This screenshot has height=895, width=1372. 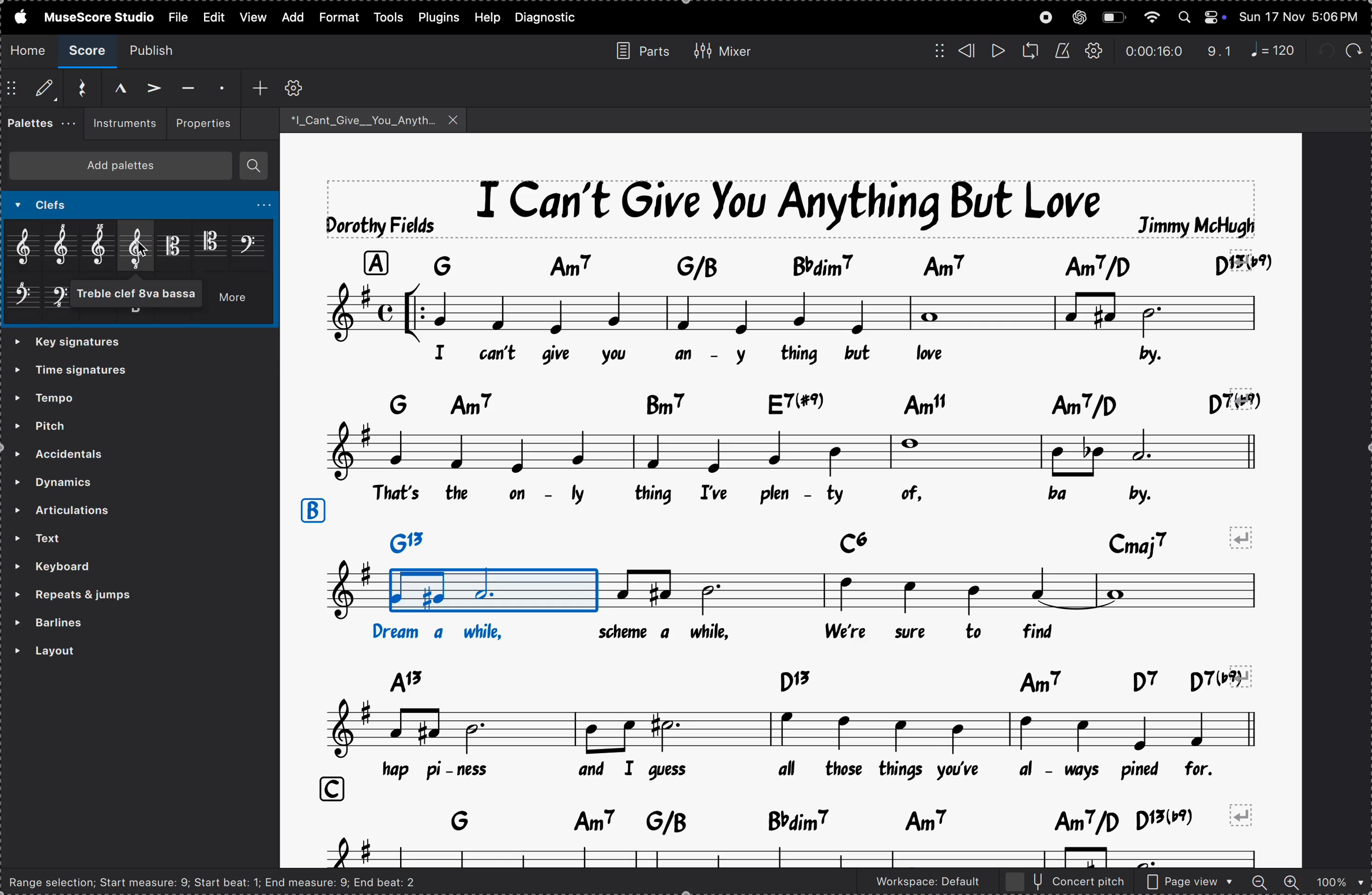 I want to click on tempo, so click(x=78, y=396).